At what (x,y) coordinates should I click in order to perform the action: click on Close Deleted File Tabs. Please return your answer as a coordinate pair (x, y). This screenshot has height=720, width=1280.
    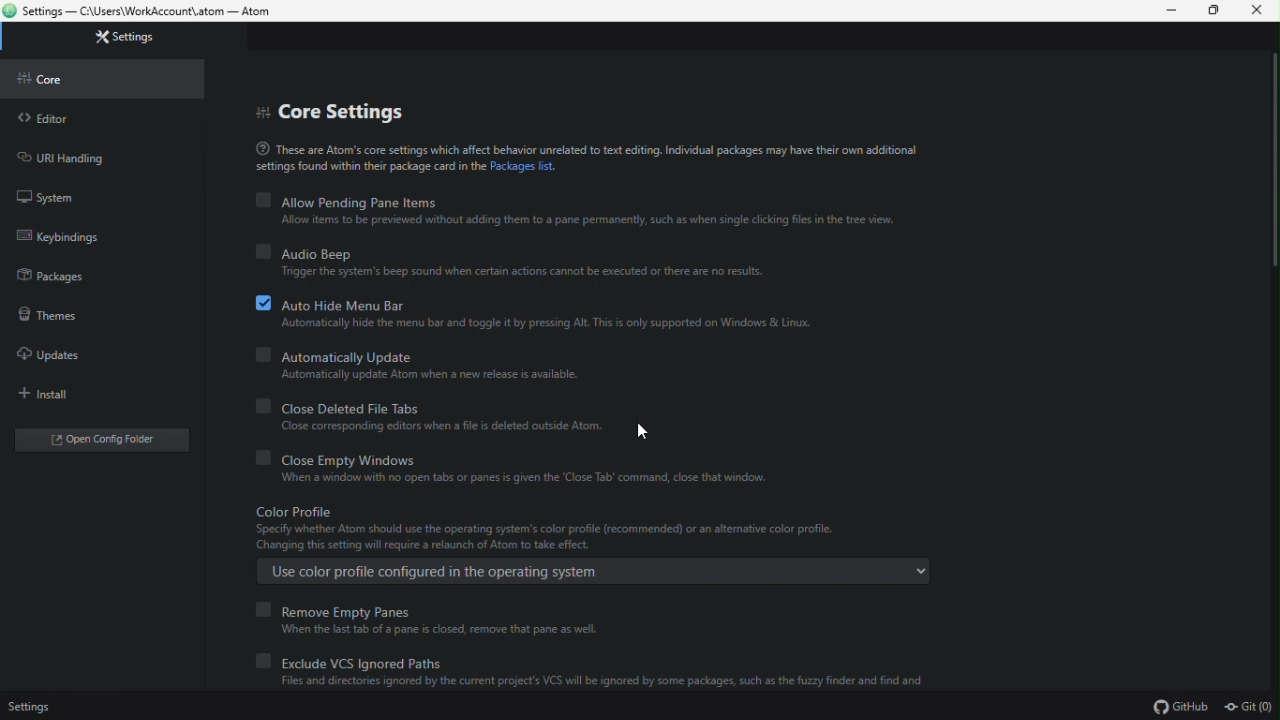
    Looking at the image, I should click on (338, 408).